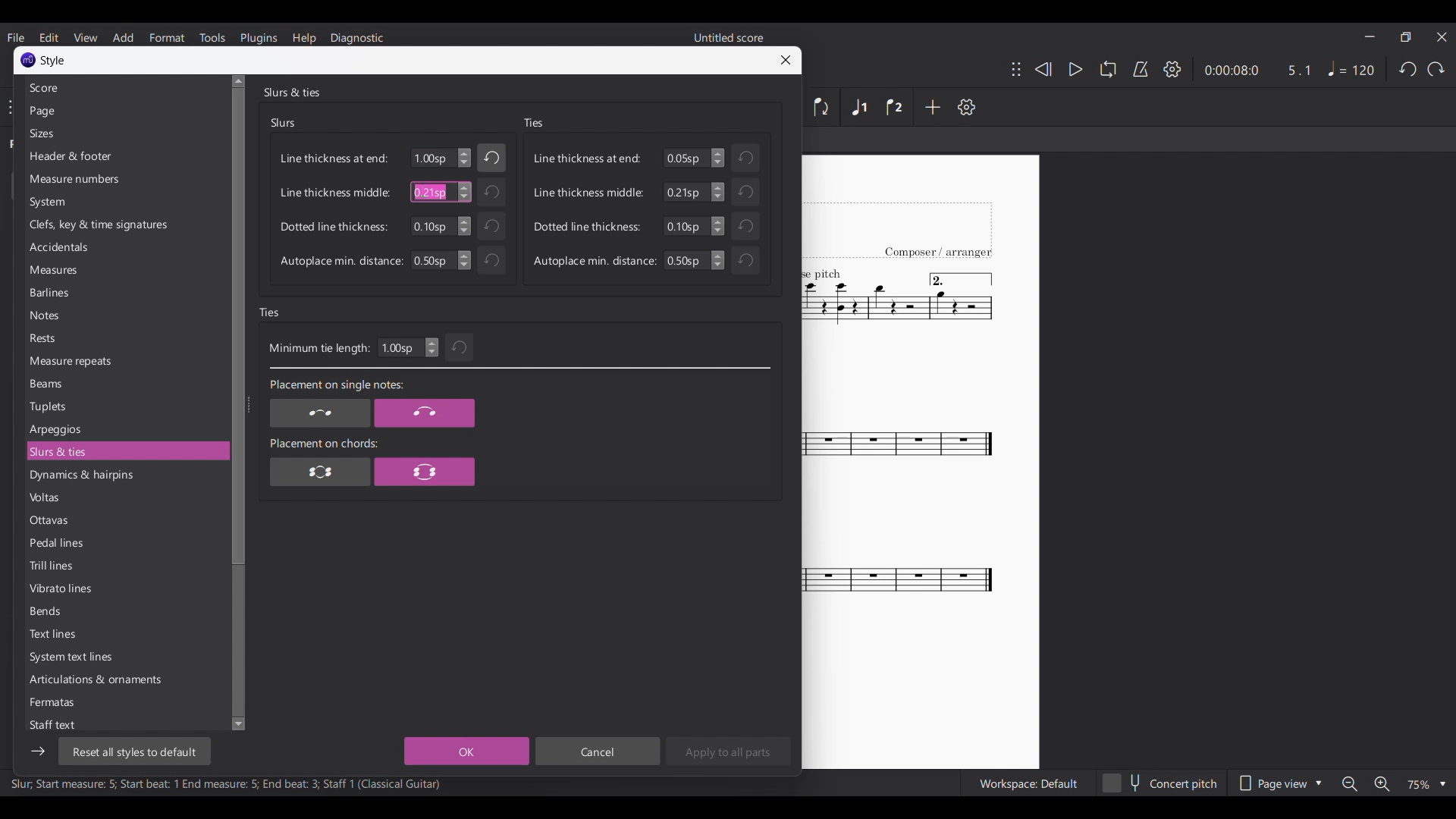 This screenshot has width=1456, height=819. What do you see at coordinates (125, 702) in the screenshot?
I see `Fermatas` at bounding box center [125, 702].